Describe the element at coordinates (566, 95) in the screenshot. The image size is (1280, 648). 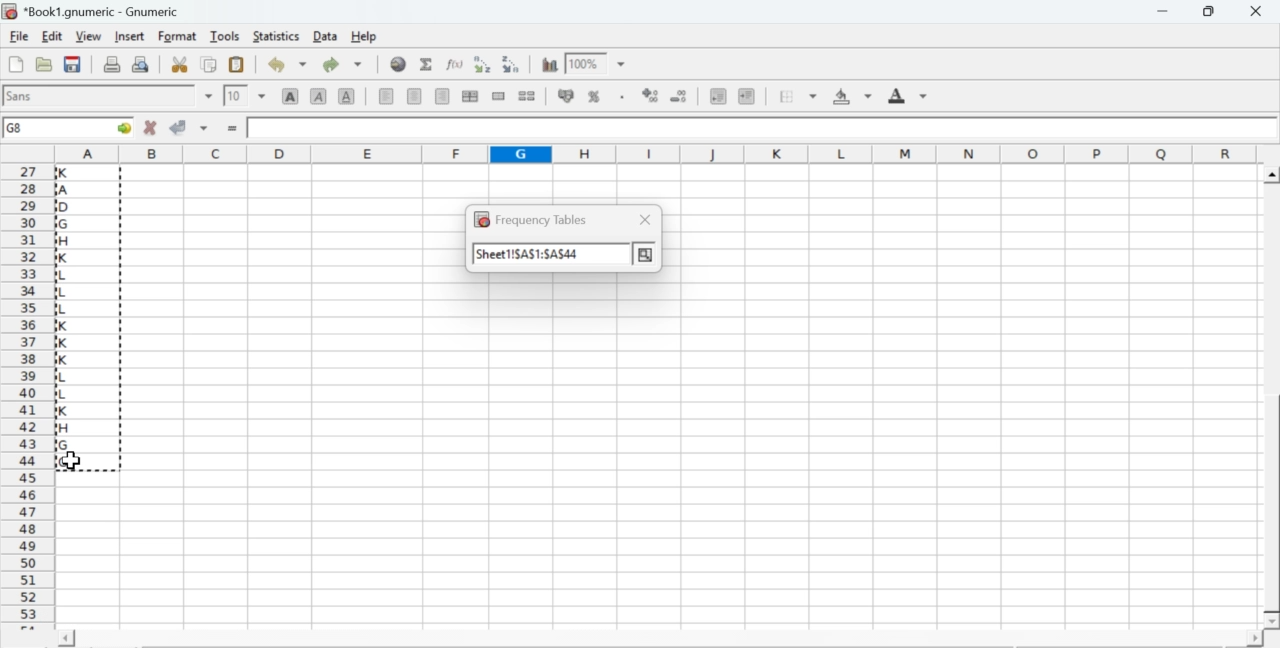
I see `format selection as accounting` at that location.